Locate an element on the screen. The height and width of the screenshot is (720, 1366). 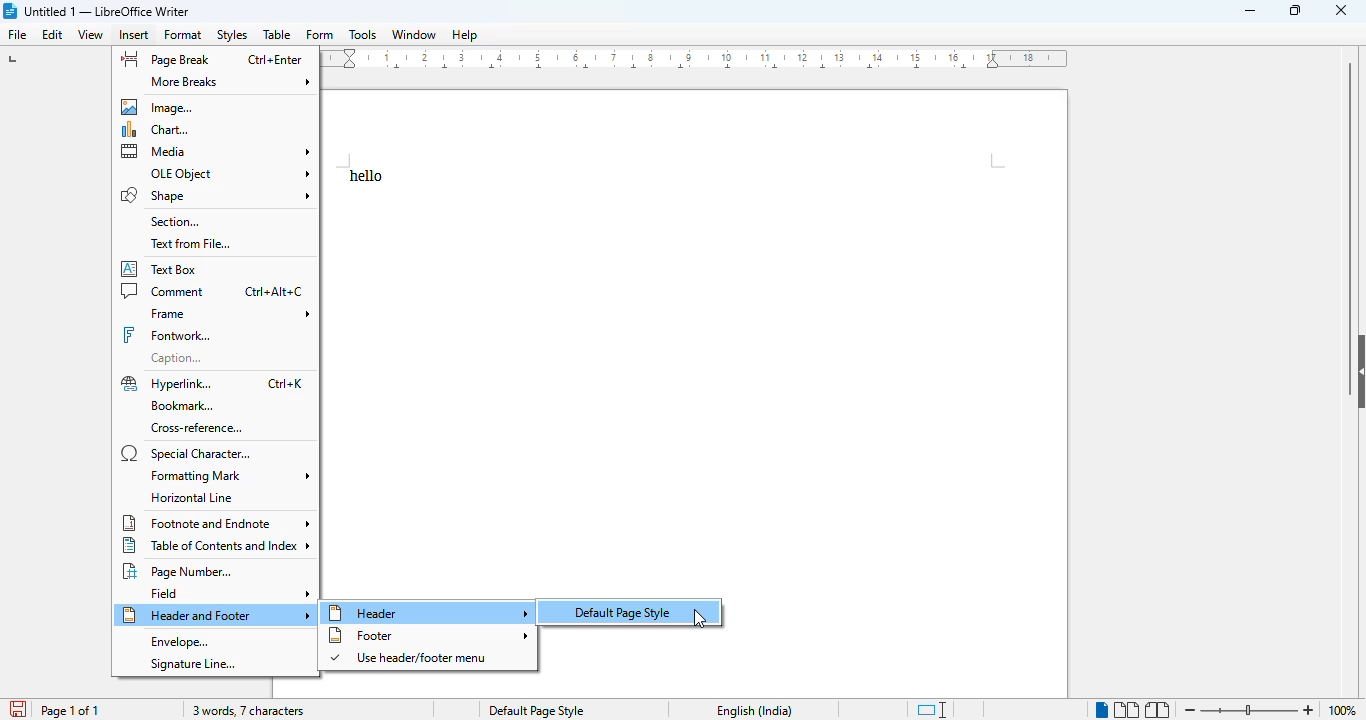
default page style is located at coordinates (634, 612).